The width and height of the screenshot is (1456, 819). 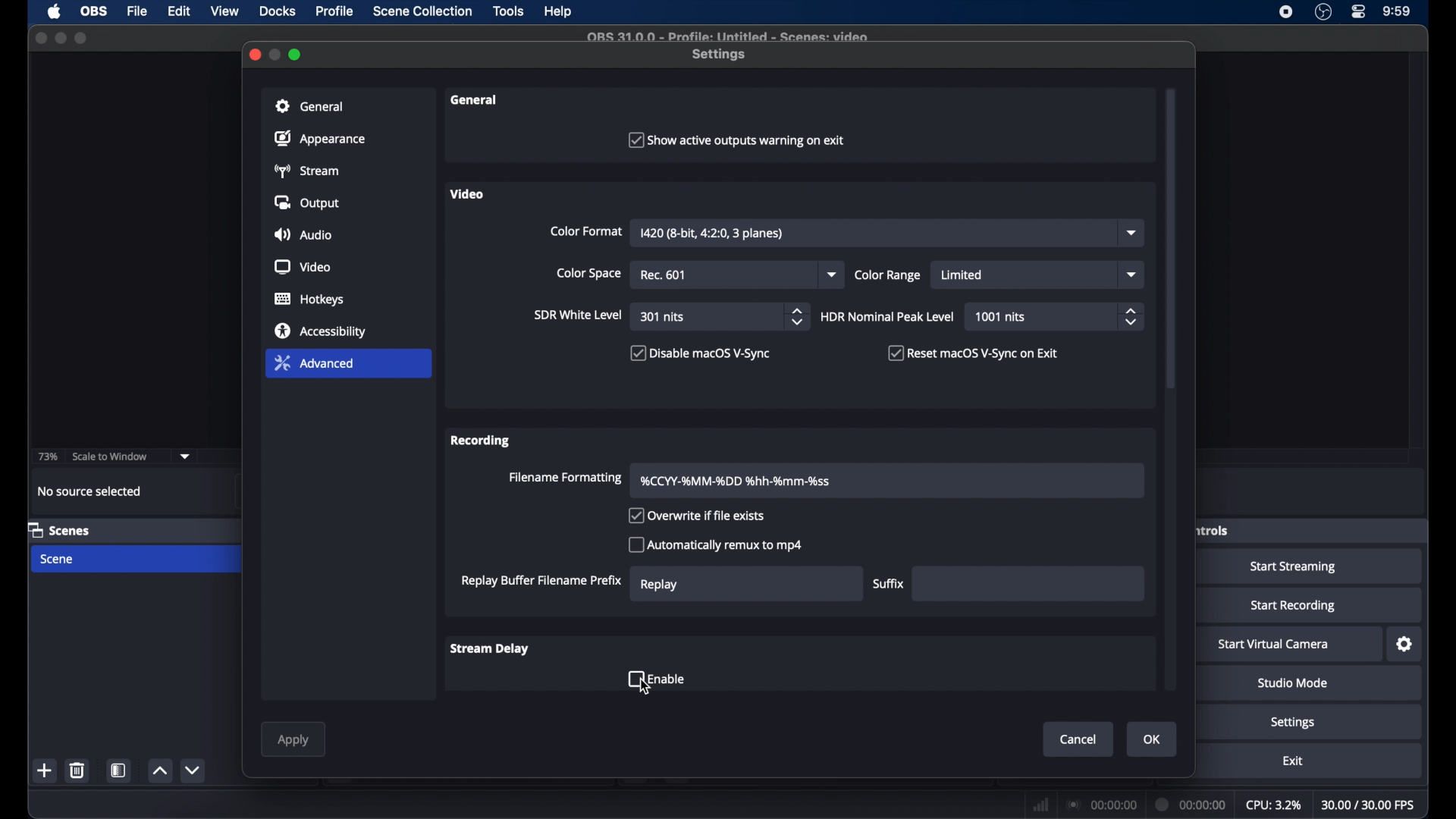 I want to click on output, so click(x=306, y=202).